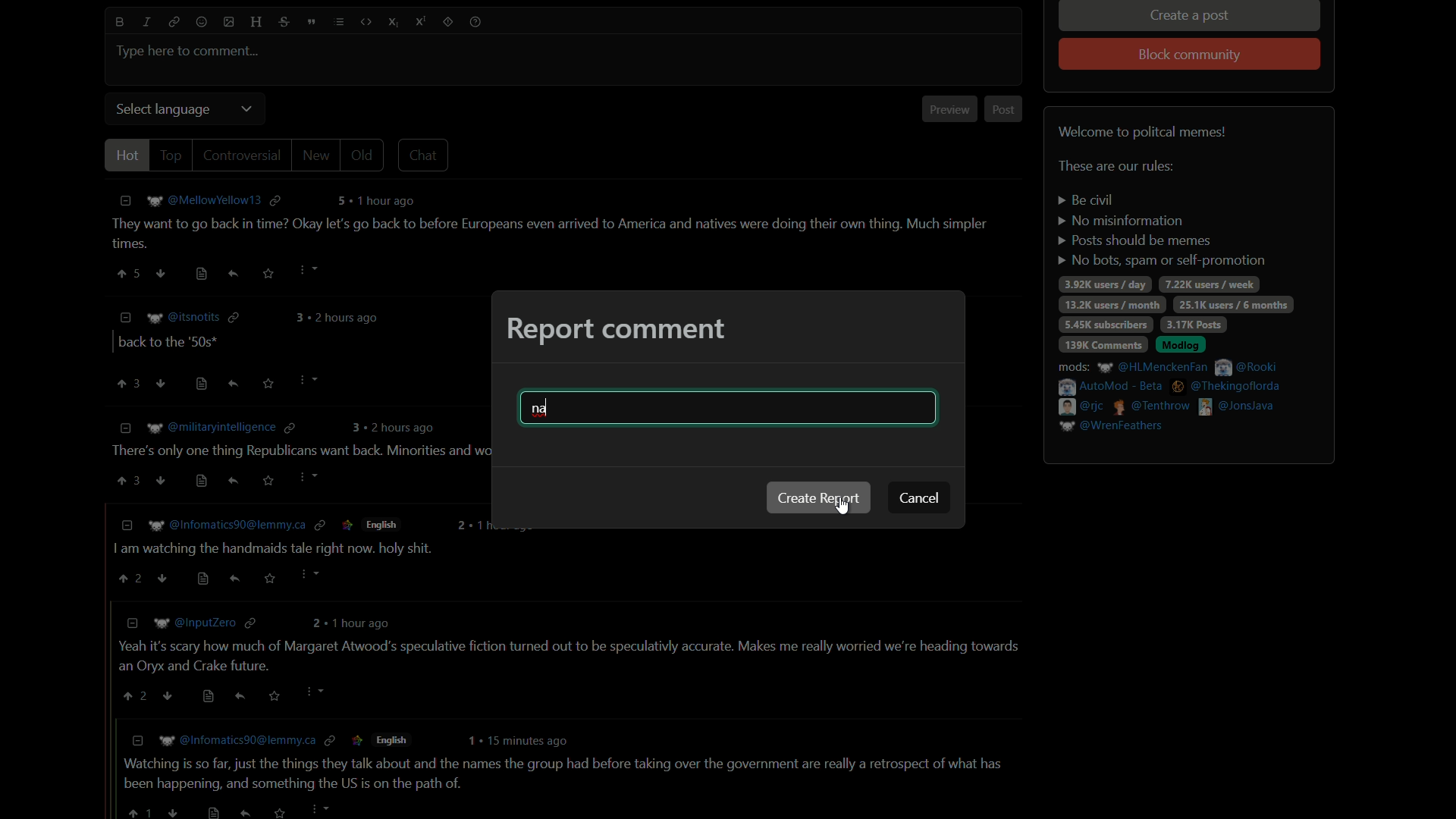 The height and width of the screenshot is (819, 1456). What do you see at coordinates (120, 22) in the screenshot?
I see `bold` at bounding box center [120, 22].